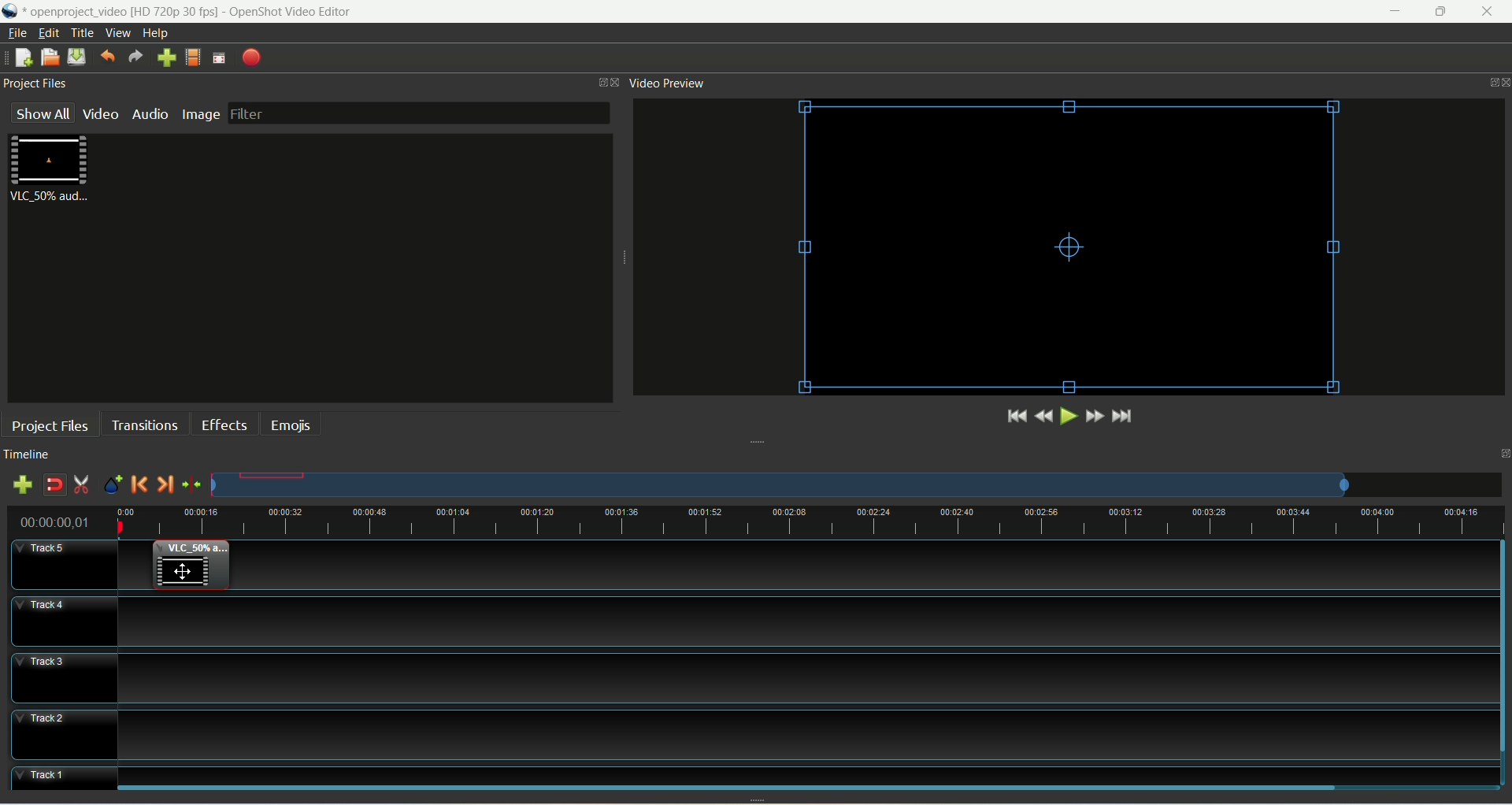 This screenshot has height=805, width=1512. What do you see at coordinates (143, 424) in the screenshot?
I see `transition` at bounding box center [143, 424].